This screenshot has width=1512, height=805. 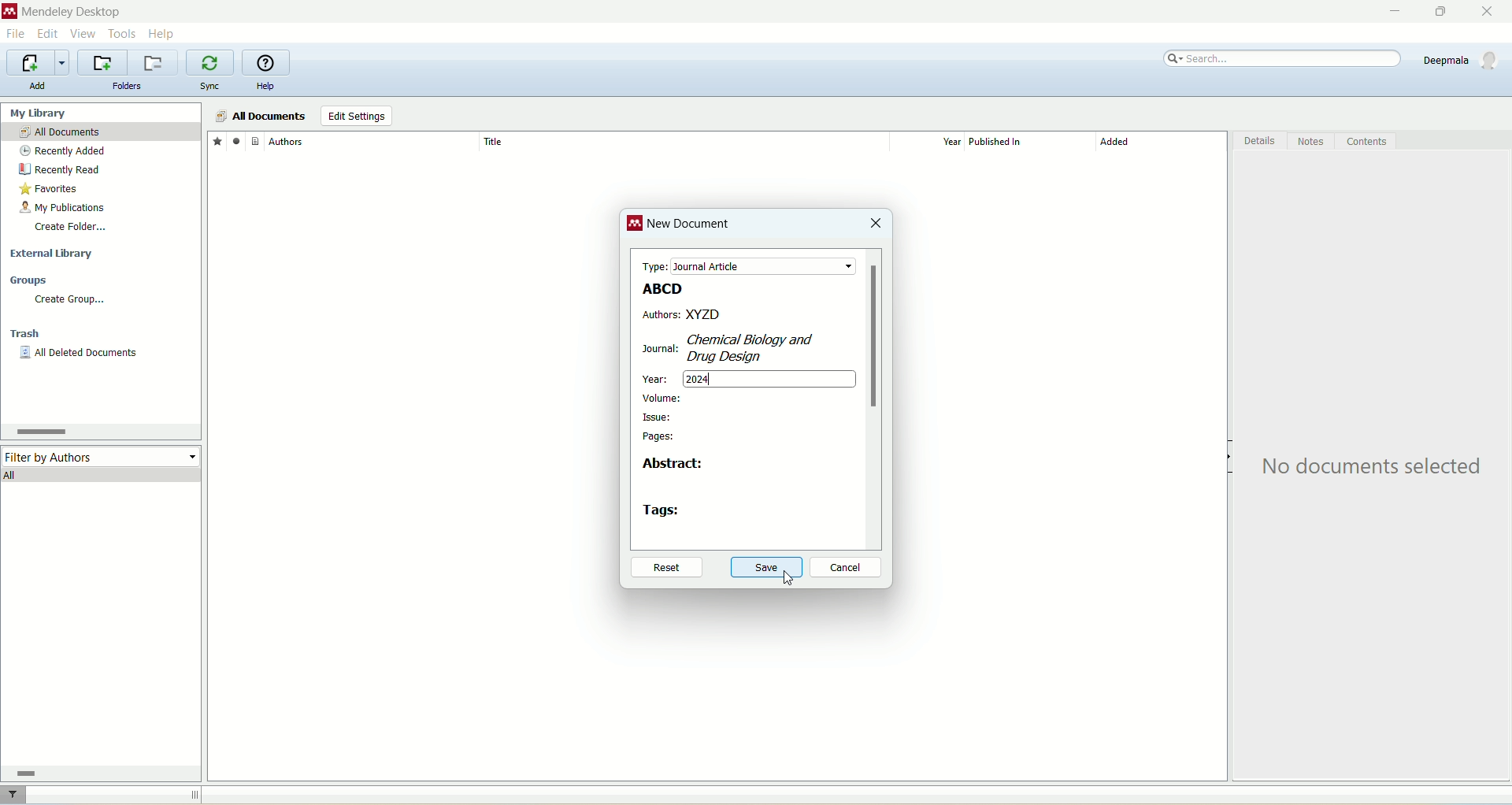 What do you see at coordinates (1437, 12) in the screenshot?
I see `maximize` at bounding box center [1437, 12].